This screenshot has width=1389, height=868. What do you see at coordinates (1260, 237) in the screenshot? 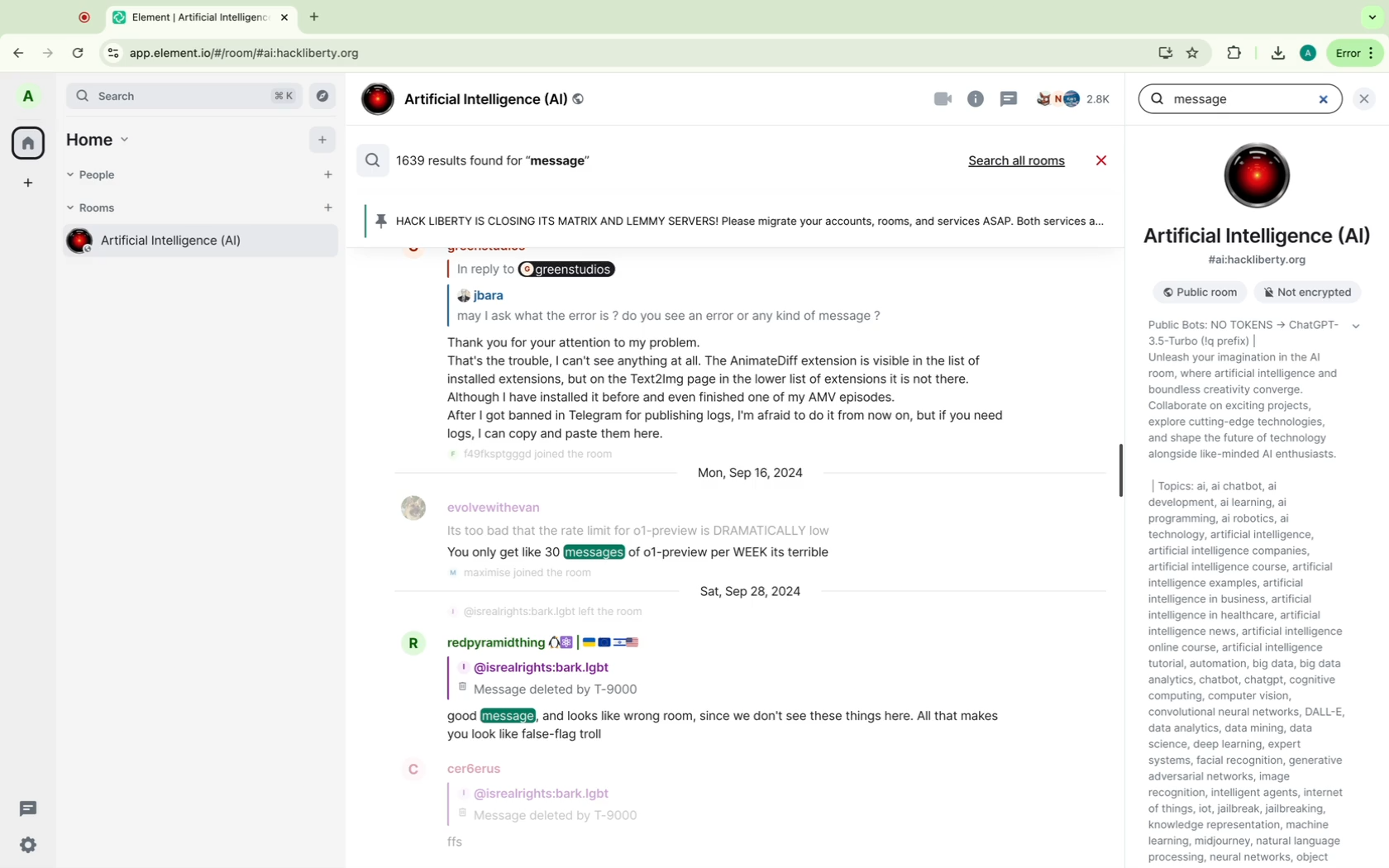
I see `name` at bounding box center [1260, 237].